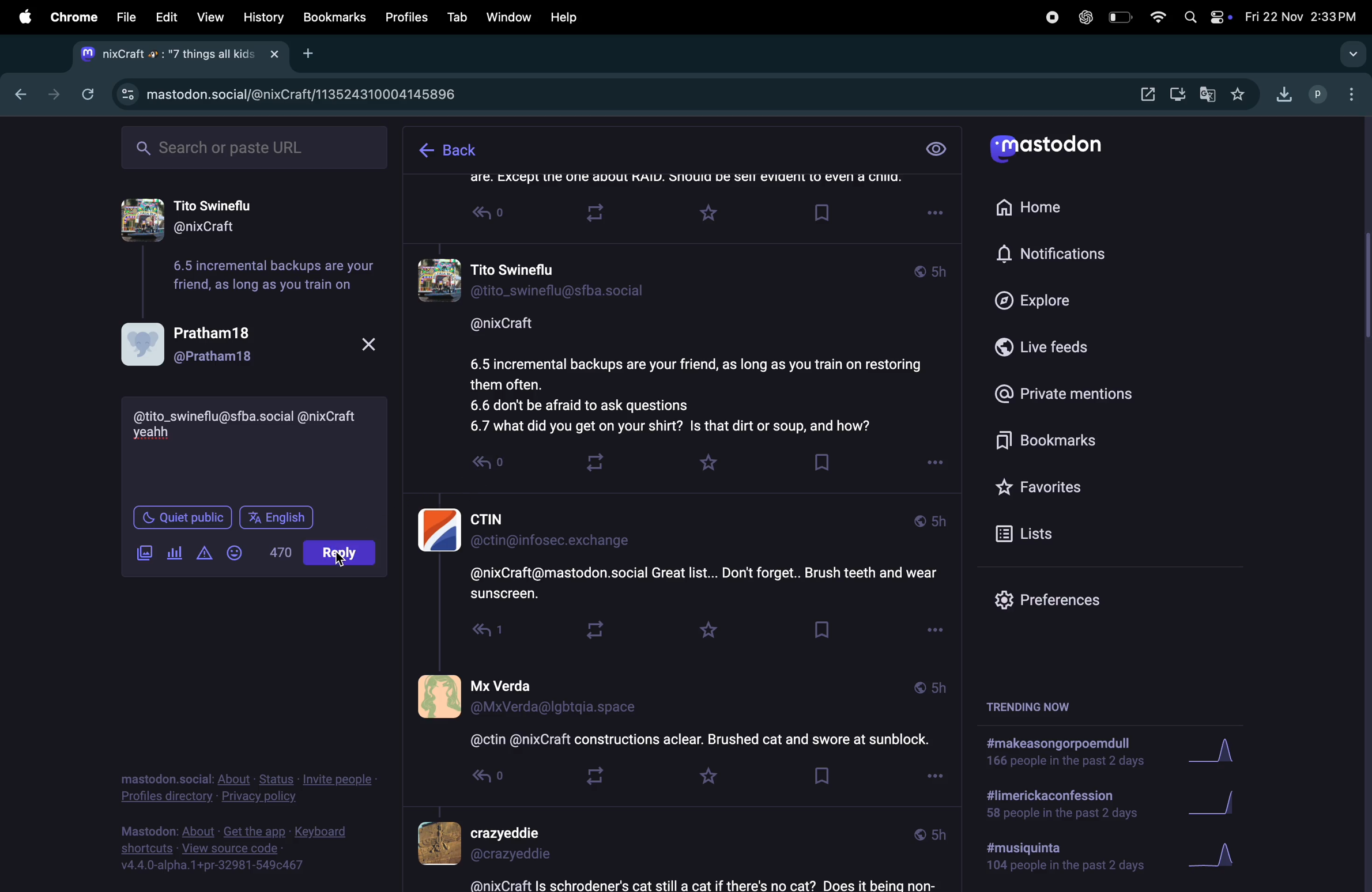  I want to click on view, so click(209, 18).